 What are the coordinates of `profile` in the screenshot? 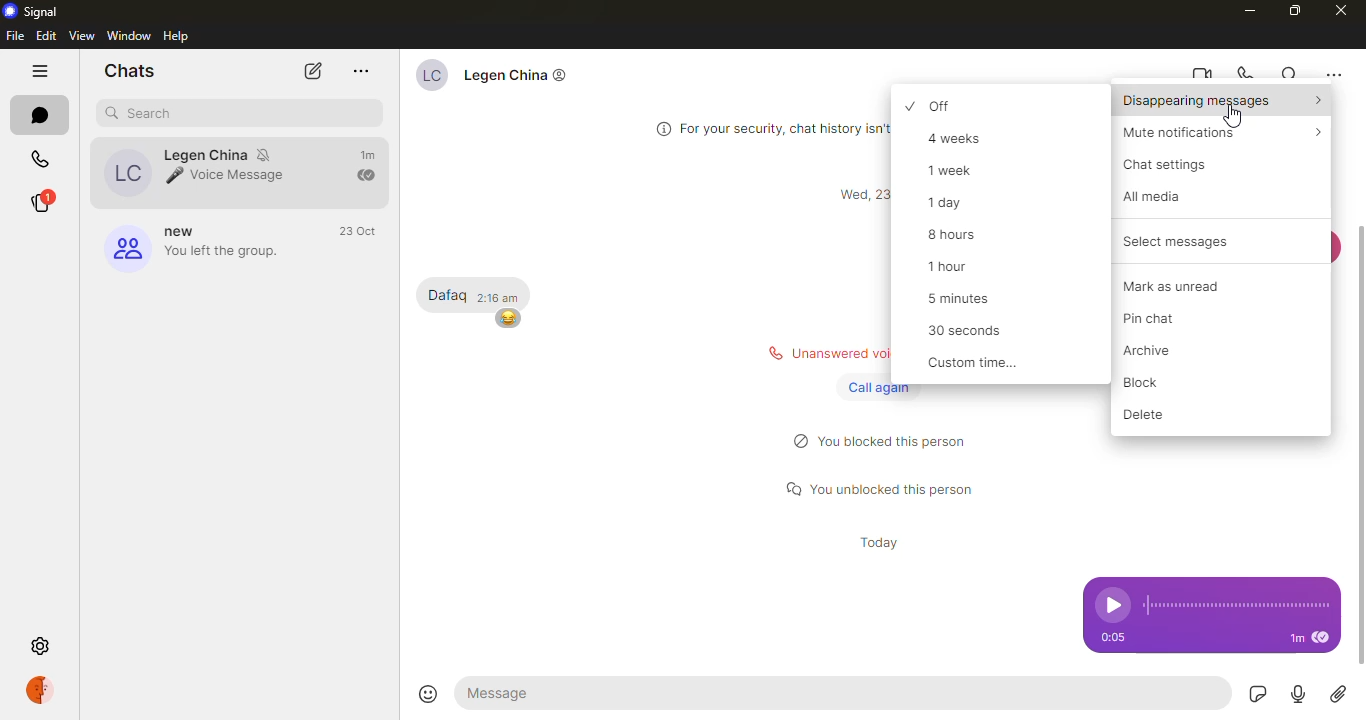 It's located at (46, 691).